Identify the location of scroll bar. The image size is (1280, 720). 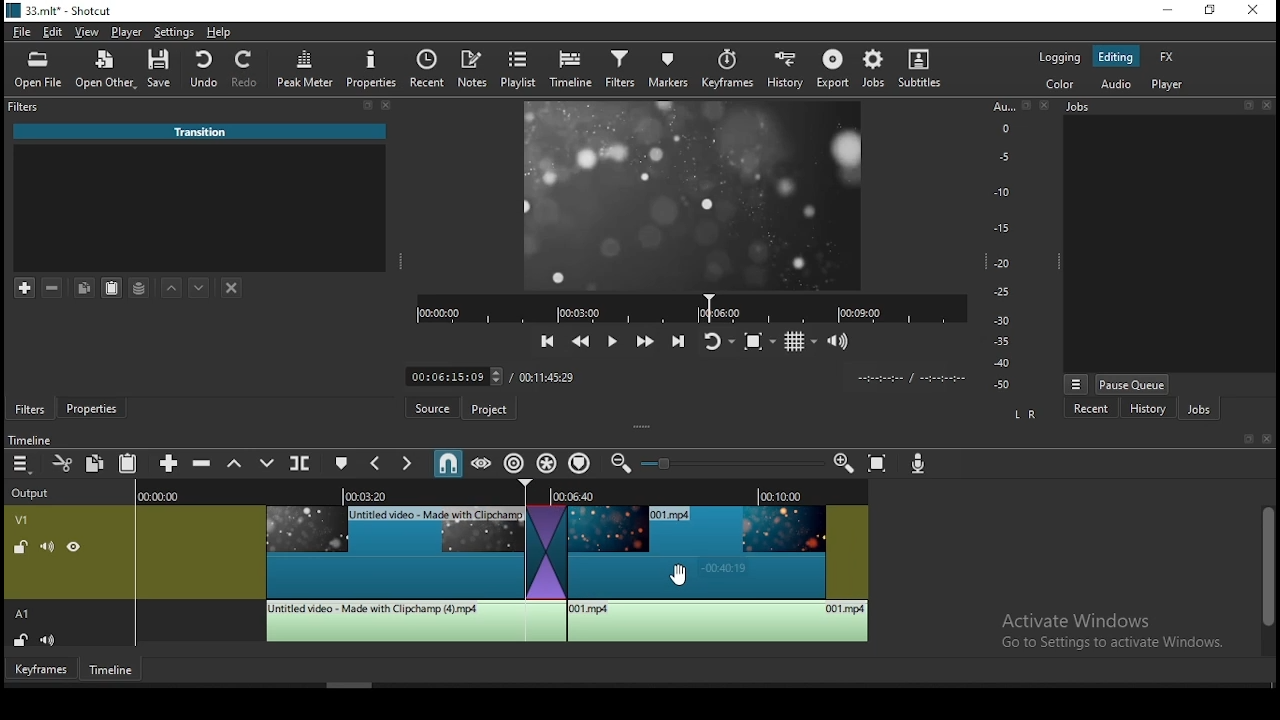
(355, 683).